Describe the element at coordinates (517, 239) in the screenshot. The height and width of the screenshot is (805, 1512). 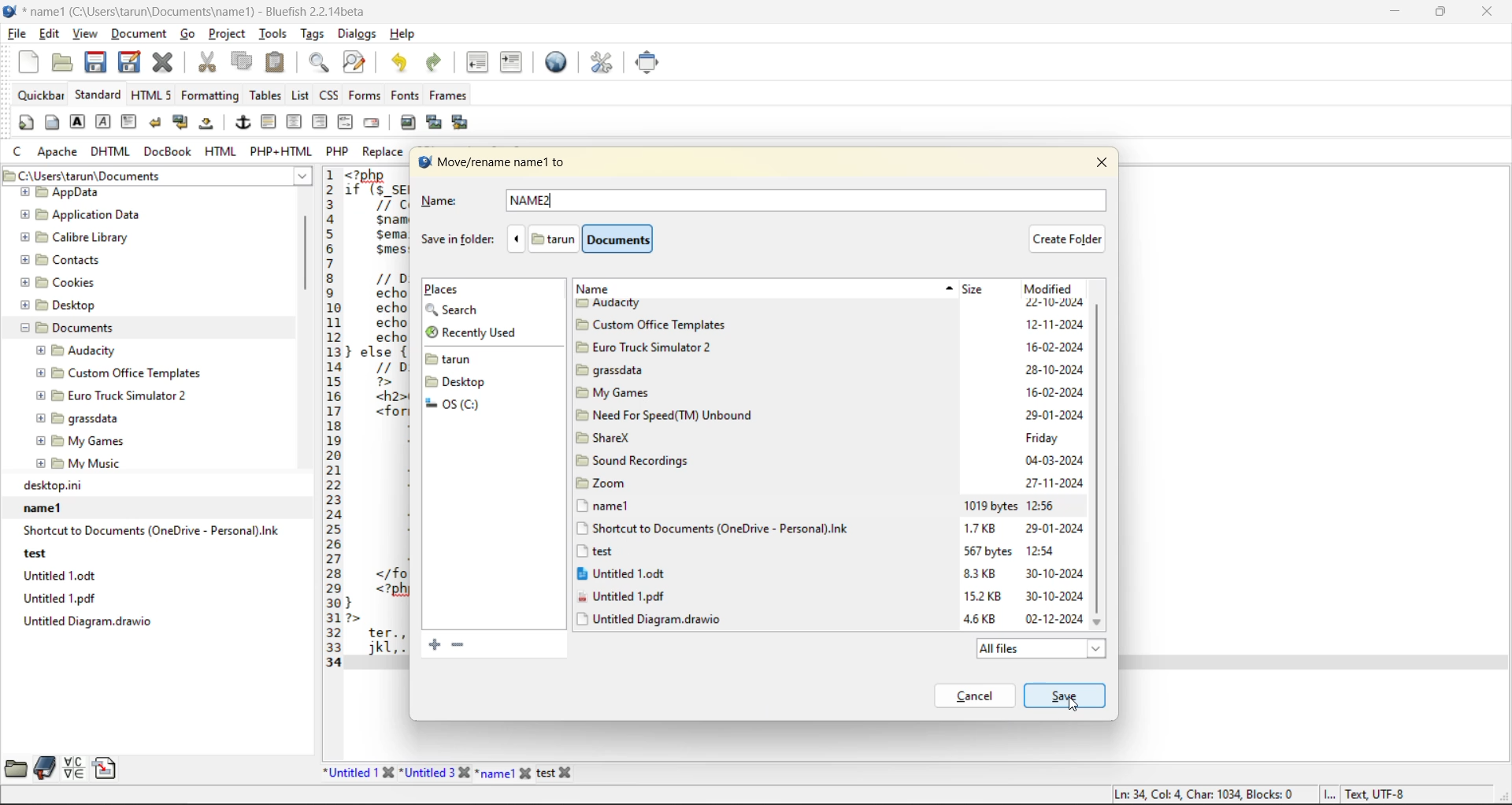
I see `previous folder` at that location.